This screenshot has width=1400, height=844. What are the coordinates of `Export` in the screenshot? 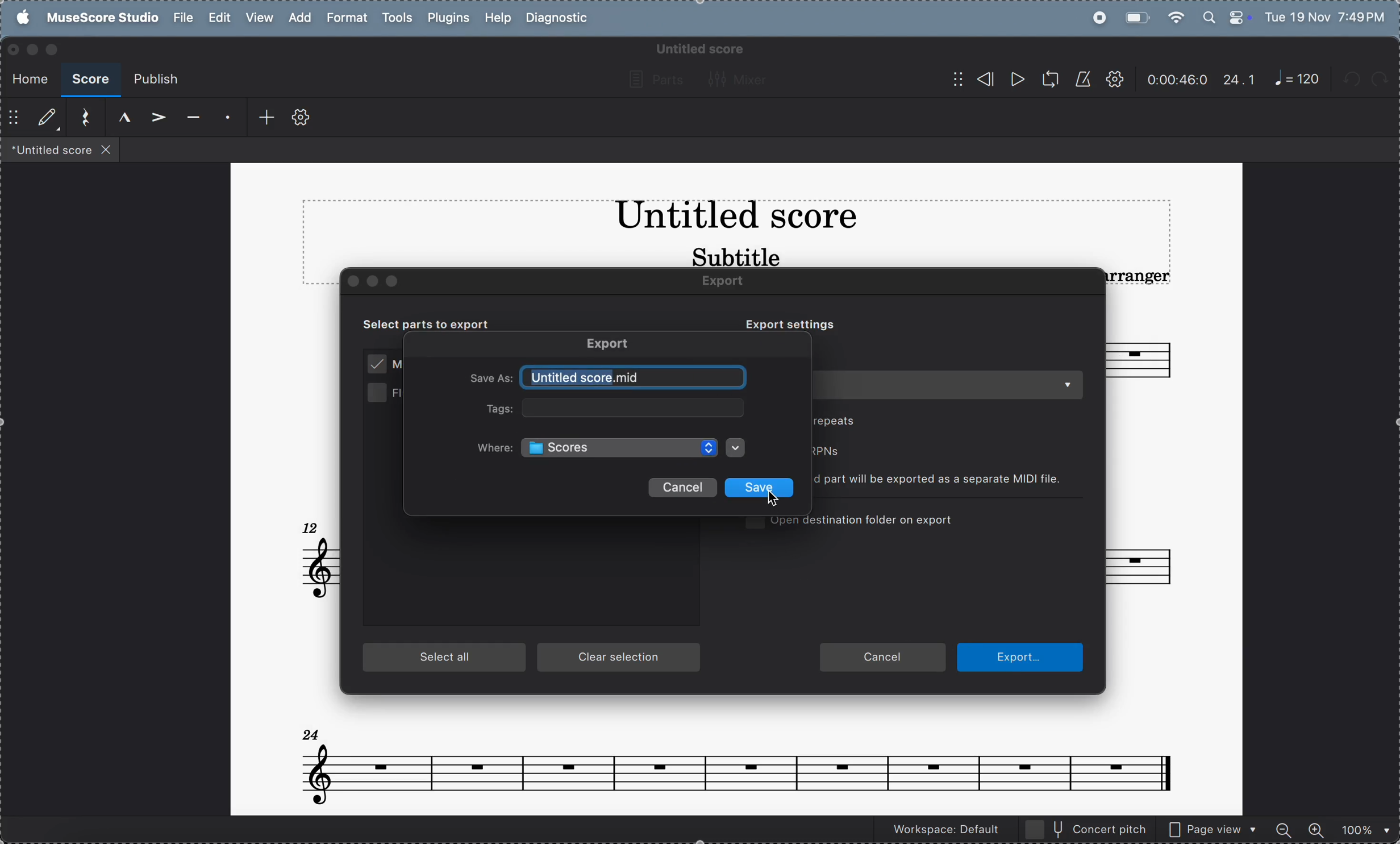 It's located at (733, 282).